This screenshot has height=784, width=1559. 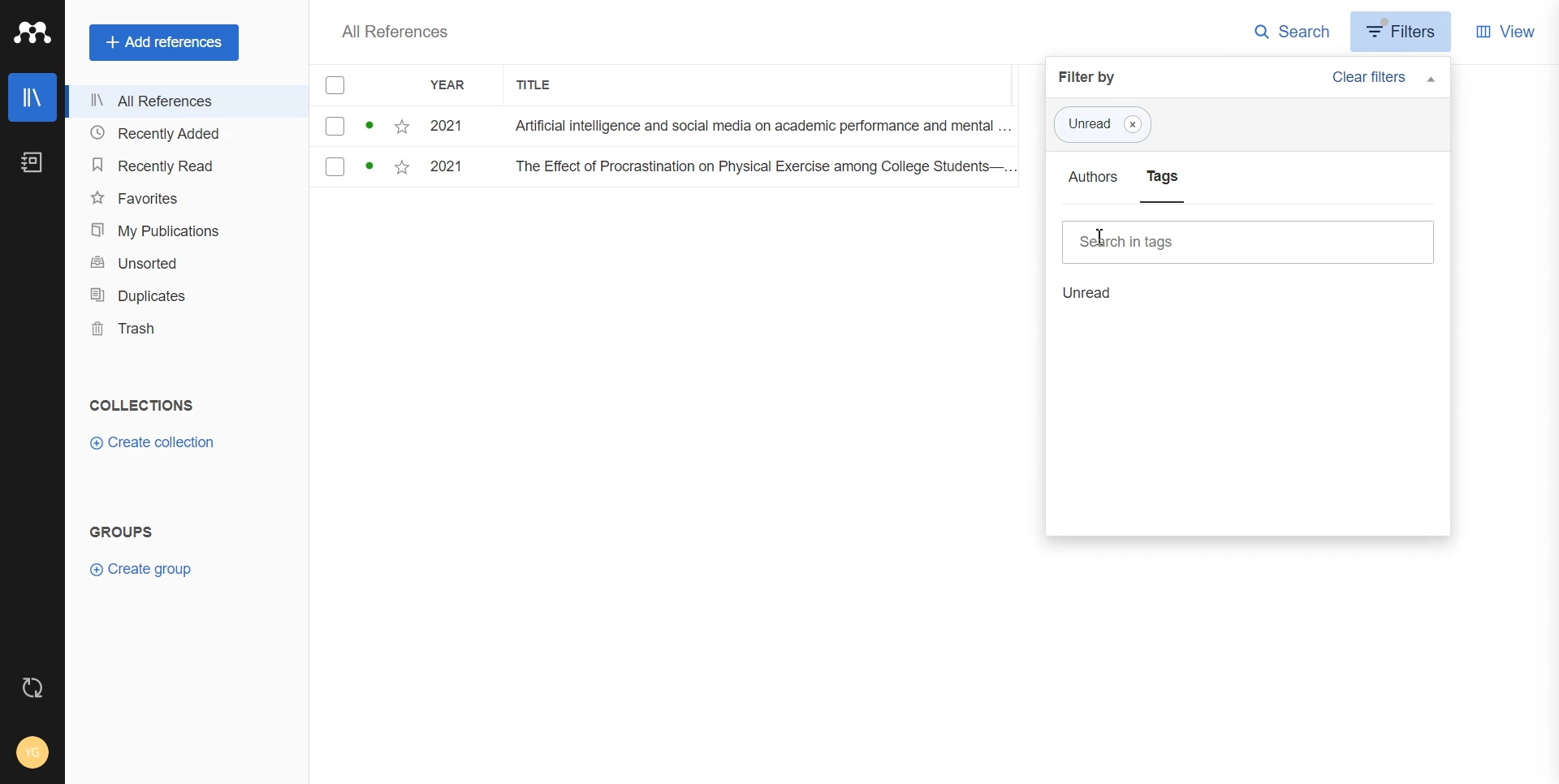 I want to click on All References, so click(x=395, y=32).